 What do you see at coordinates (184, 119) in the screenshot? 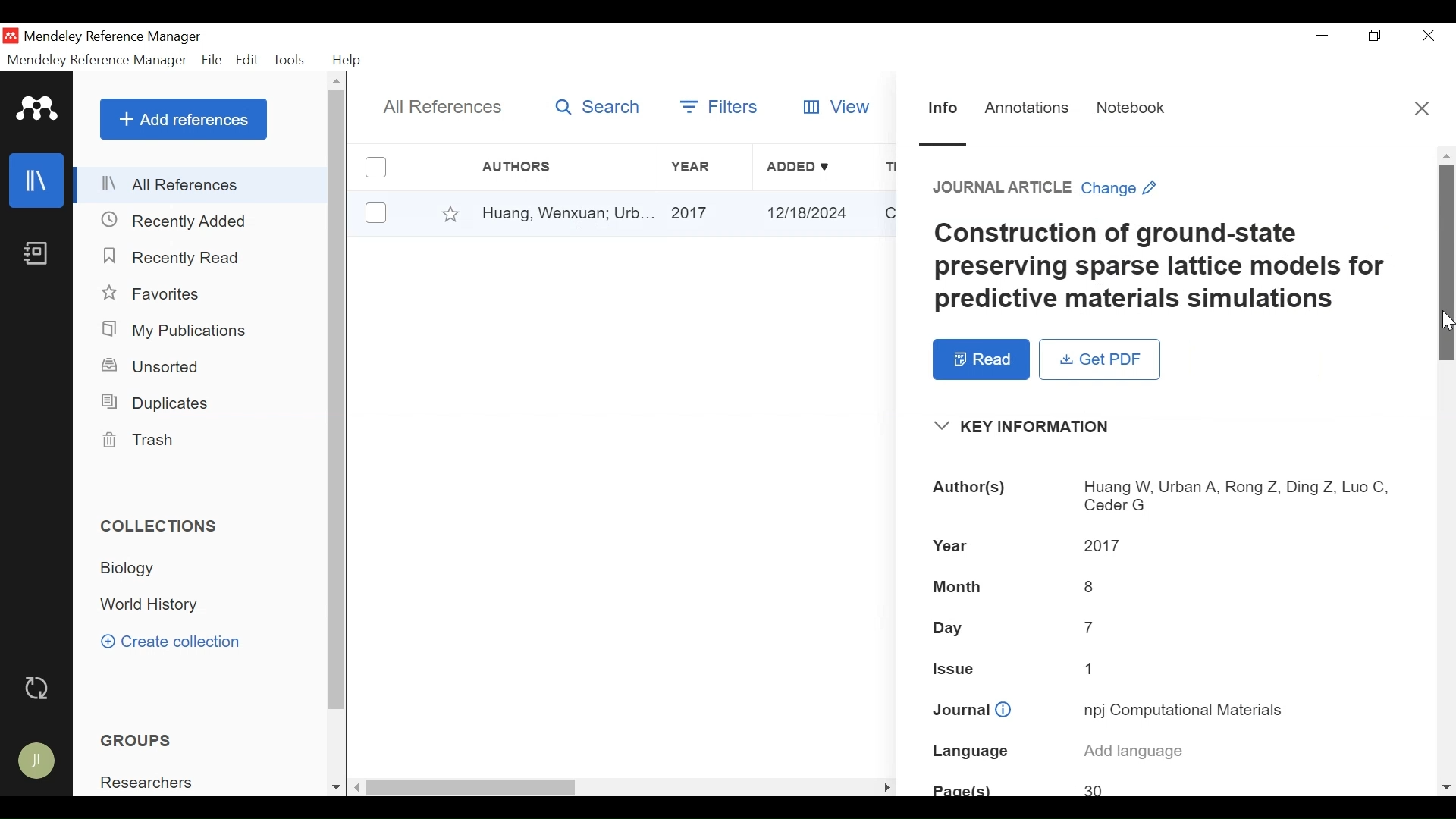
I see `Add References` at bounding box center [184, 119].